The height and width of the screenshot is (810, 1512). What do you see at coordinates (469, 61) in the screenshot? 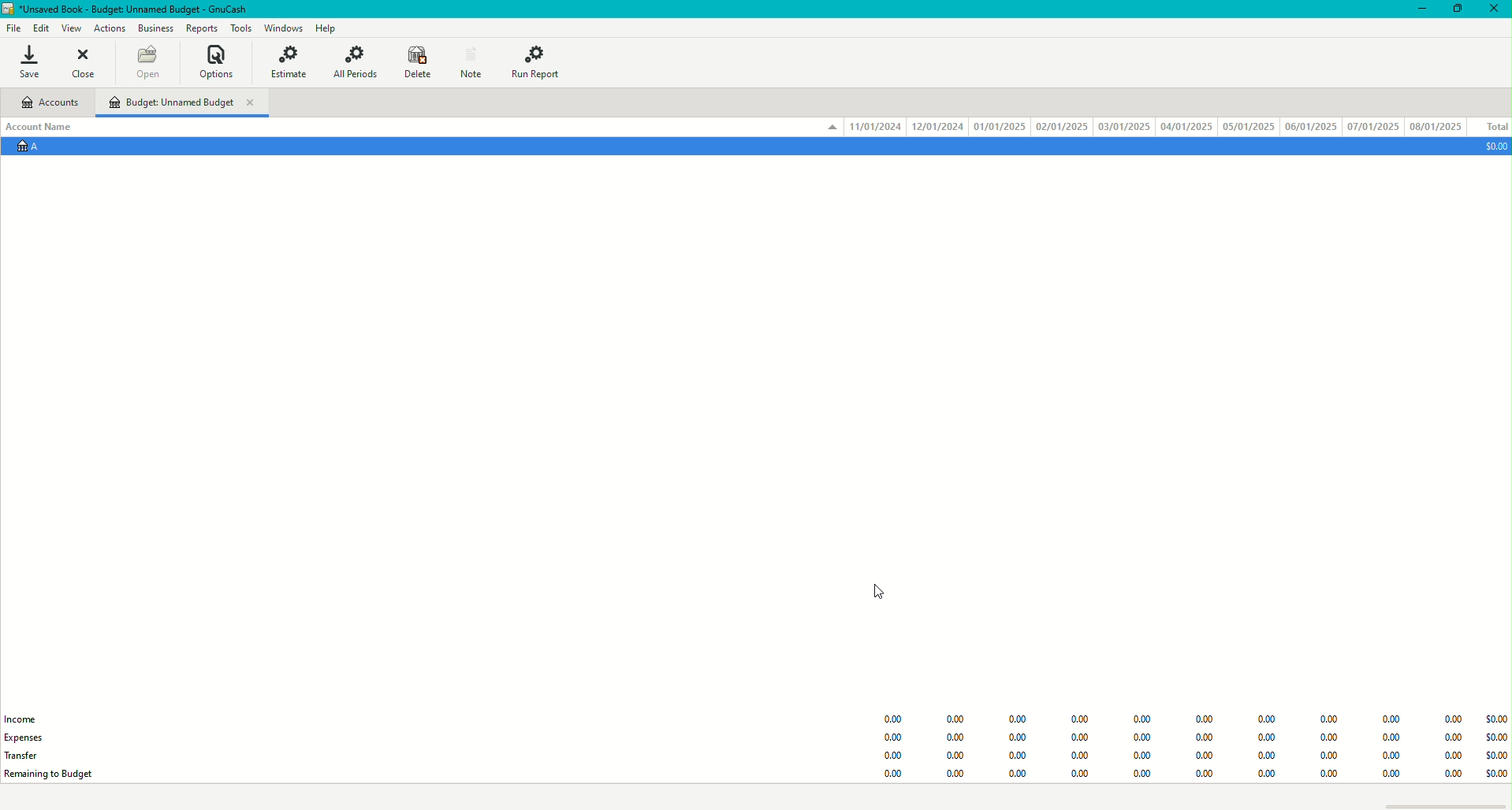
I see `Notes` at bounding box center [469, 61].